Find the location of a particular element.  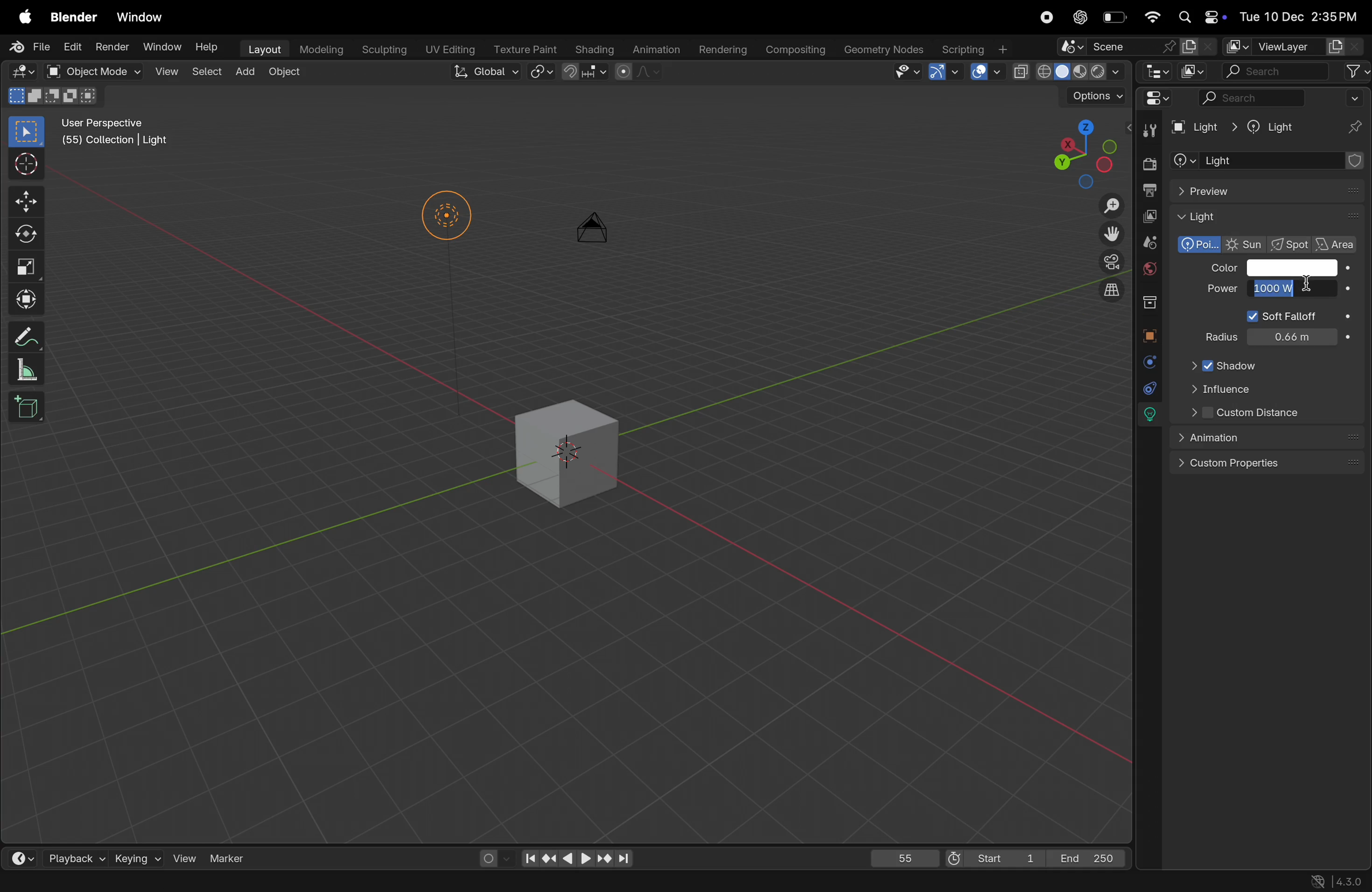

power is located at coordinates (1280, 328).